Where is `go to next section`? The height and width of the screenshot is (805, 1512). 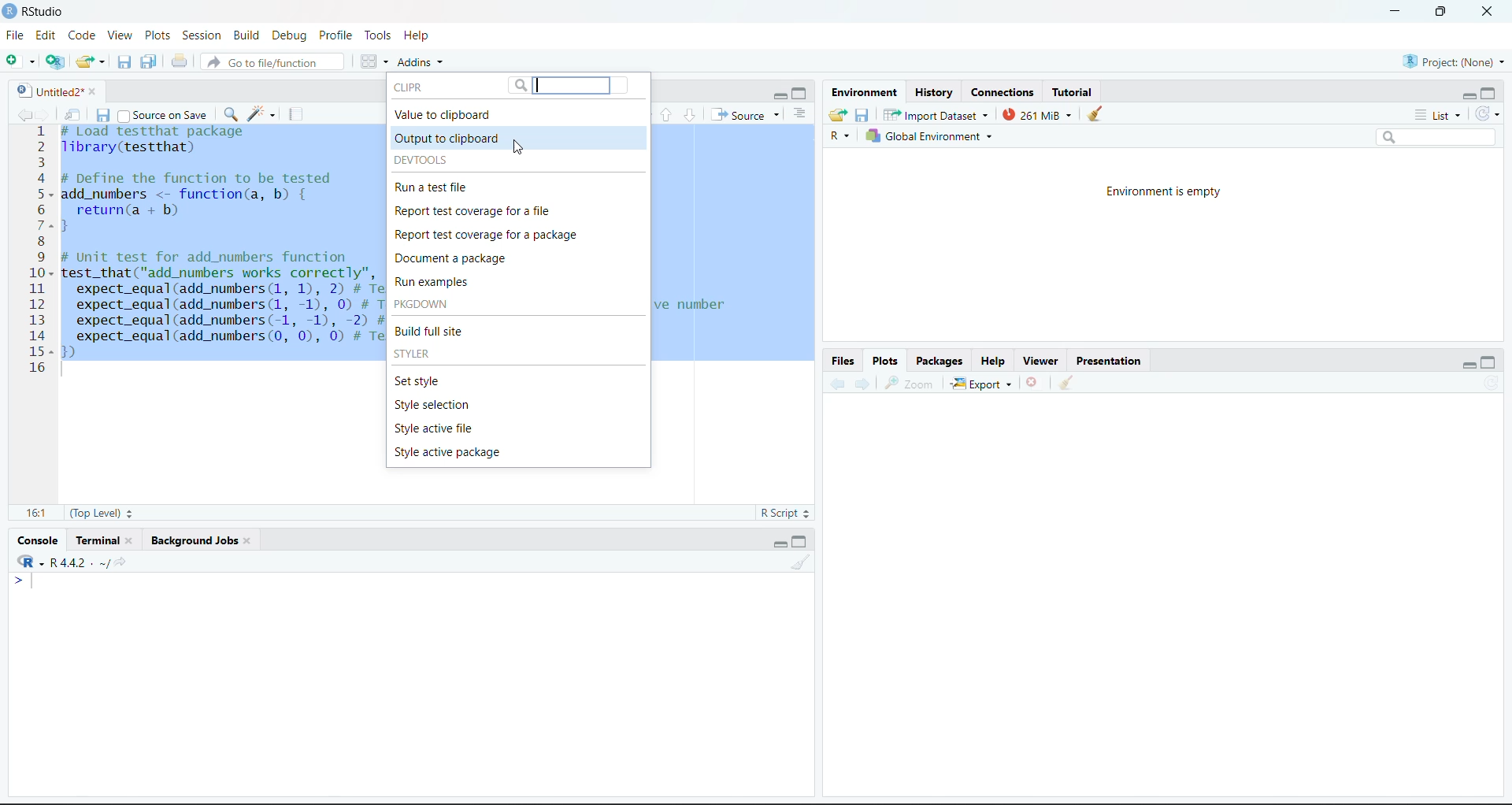
go to next section is located at coordinates (690, 113).